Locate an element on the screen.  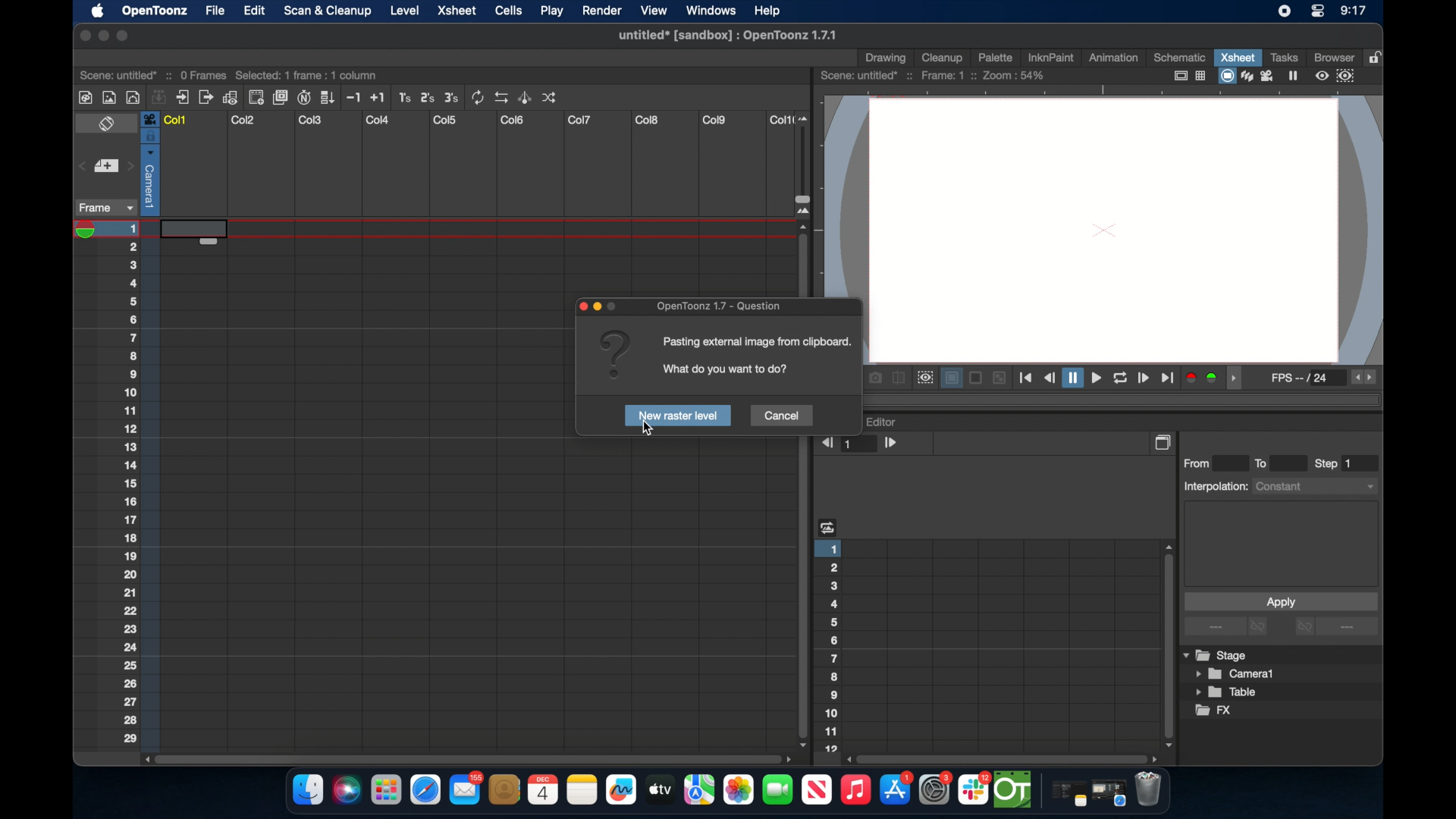
view modes is located at coordinates (1260, 76).